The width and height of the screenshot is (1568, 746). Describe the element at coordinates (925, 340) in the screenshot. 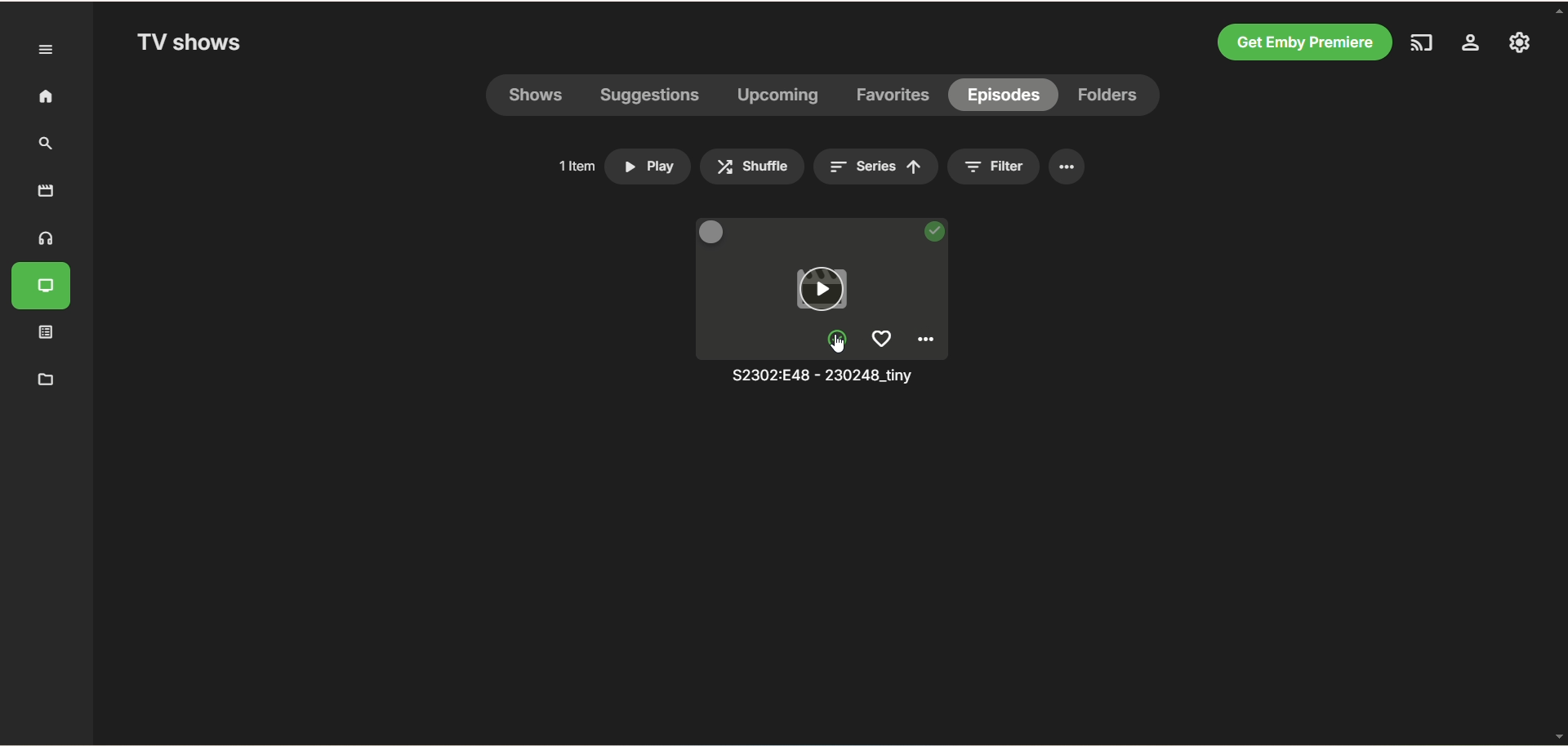

I see `options` at that location.